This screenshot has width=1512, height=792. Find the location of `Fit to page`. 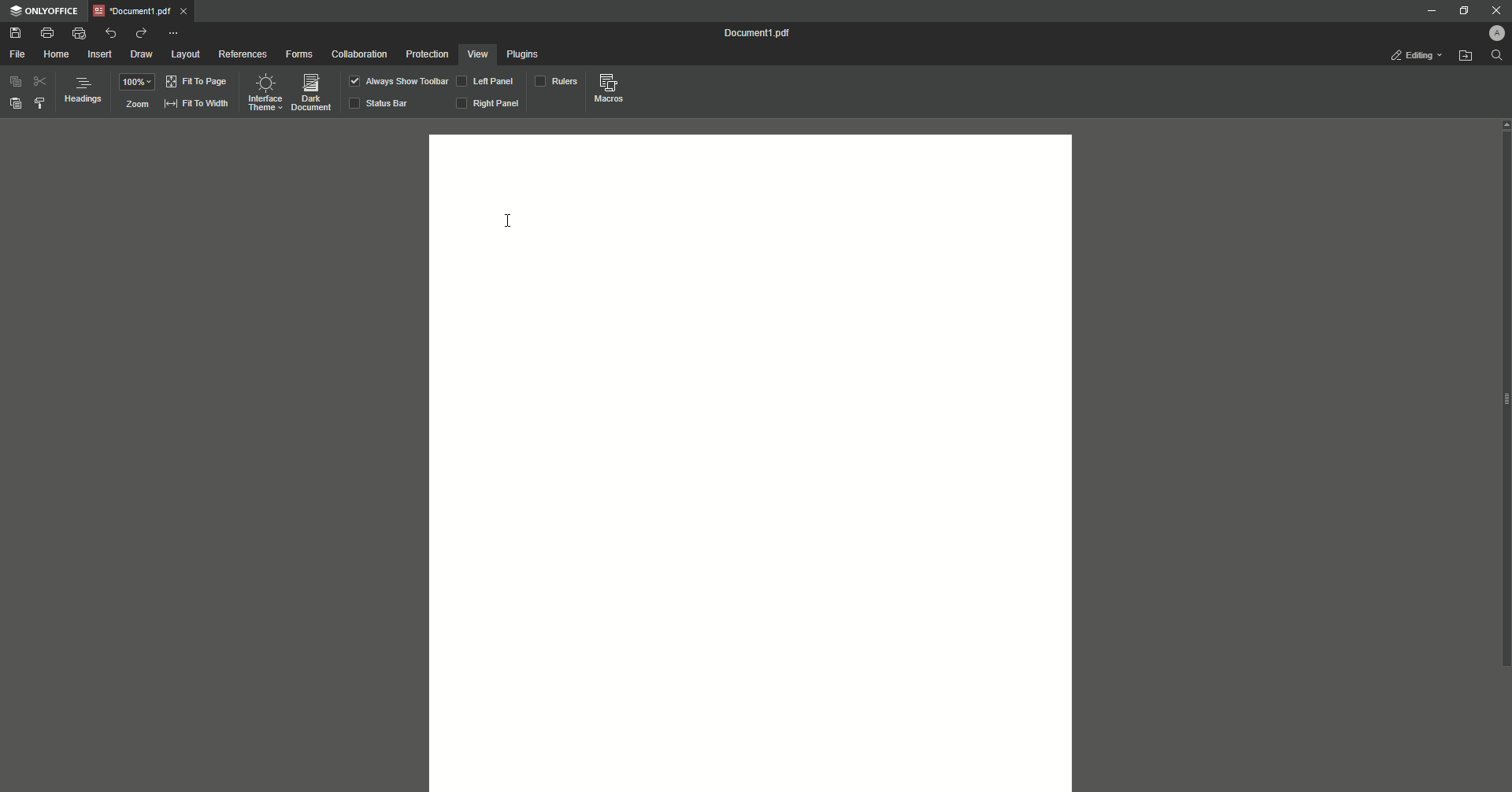

Fit to page is located at coordinates (197, 83).